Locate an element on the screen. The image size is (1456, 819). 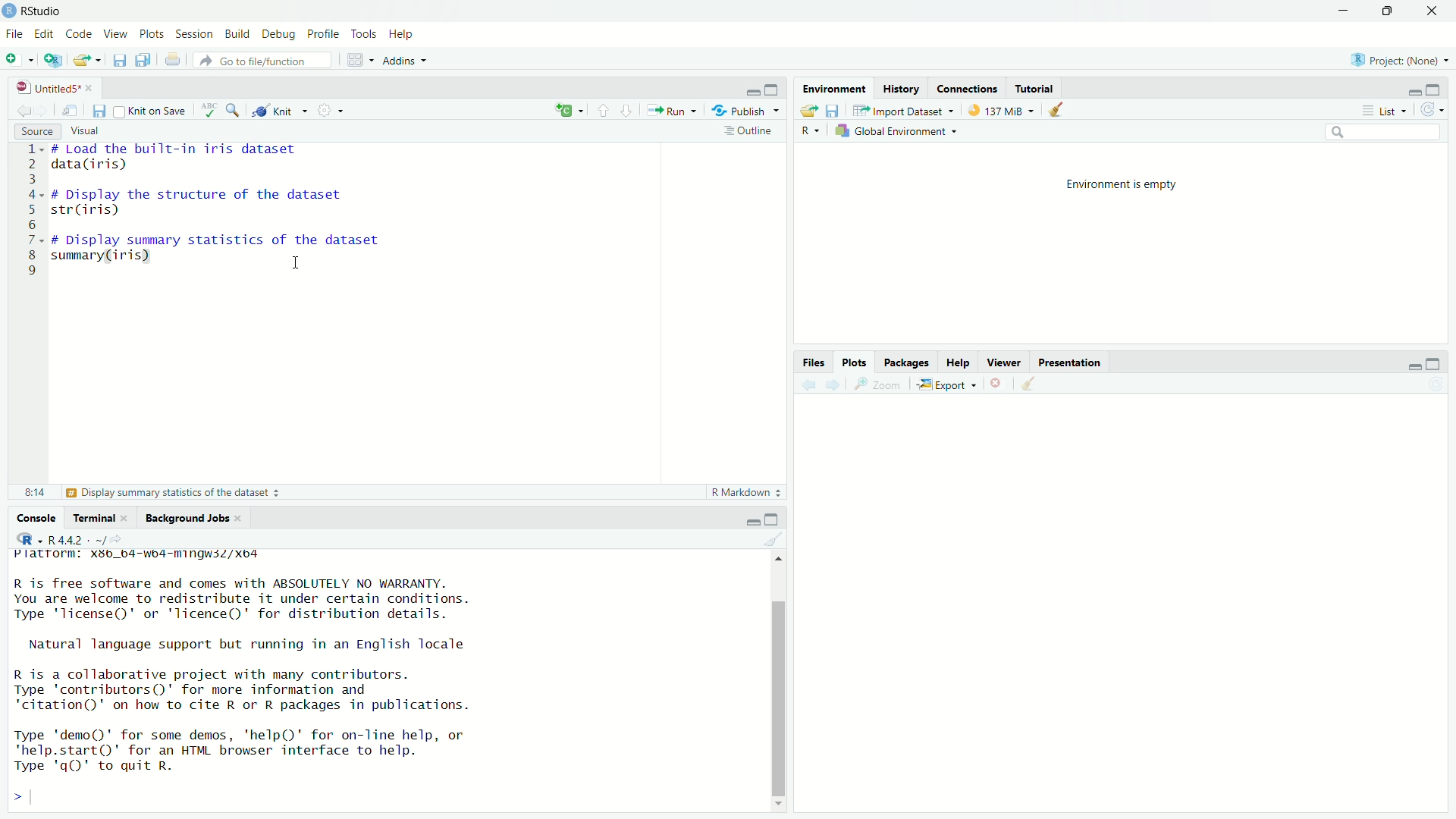
File is located at coordinates (15, 34).